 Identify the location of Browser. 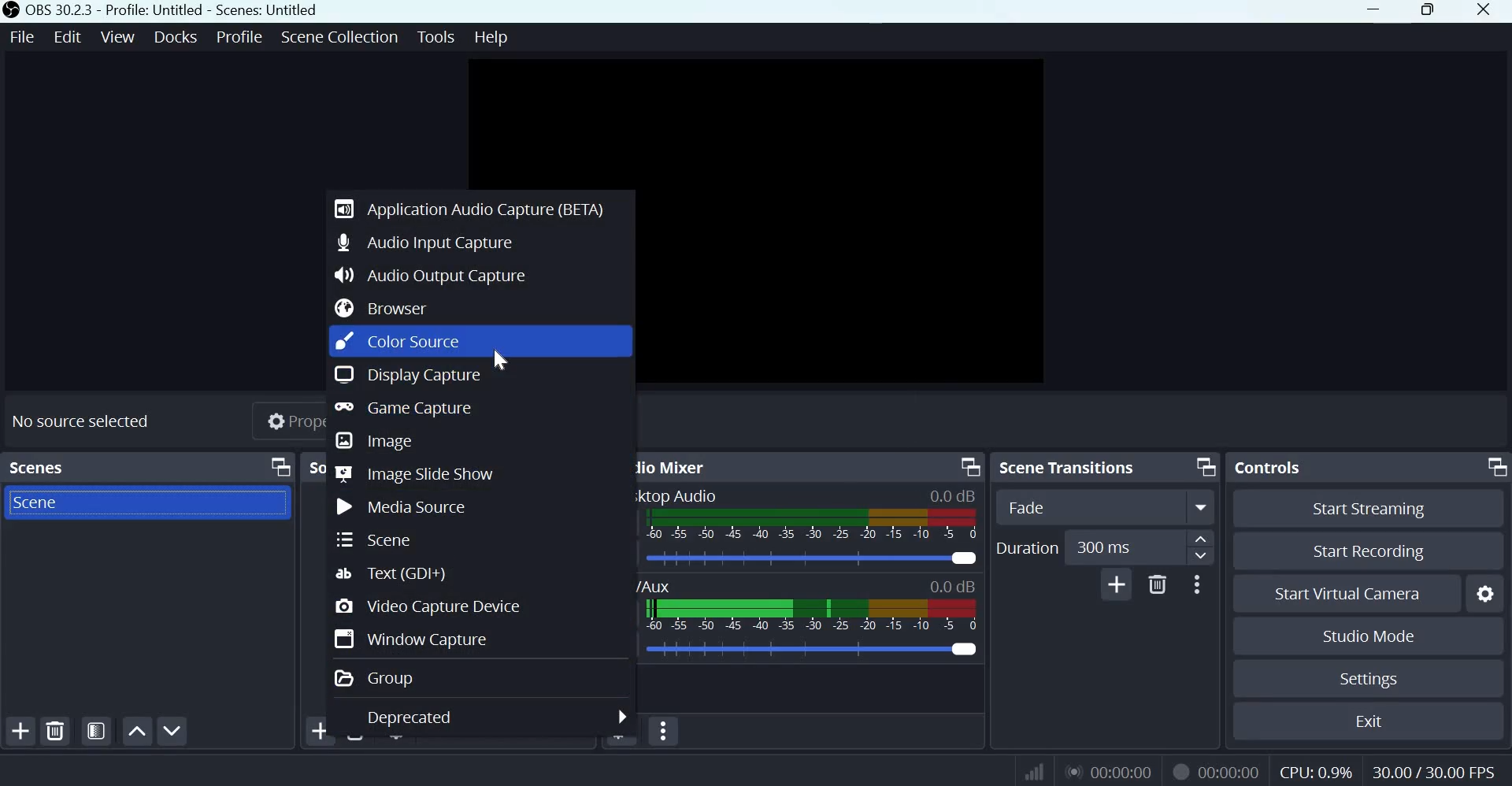
(387, 308).